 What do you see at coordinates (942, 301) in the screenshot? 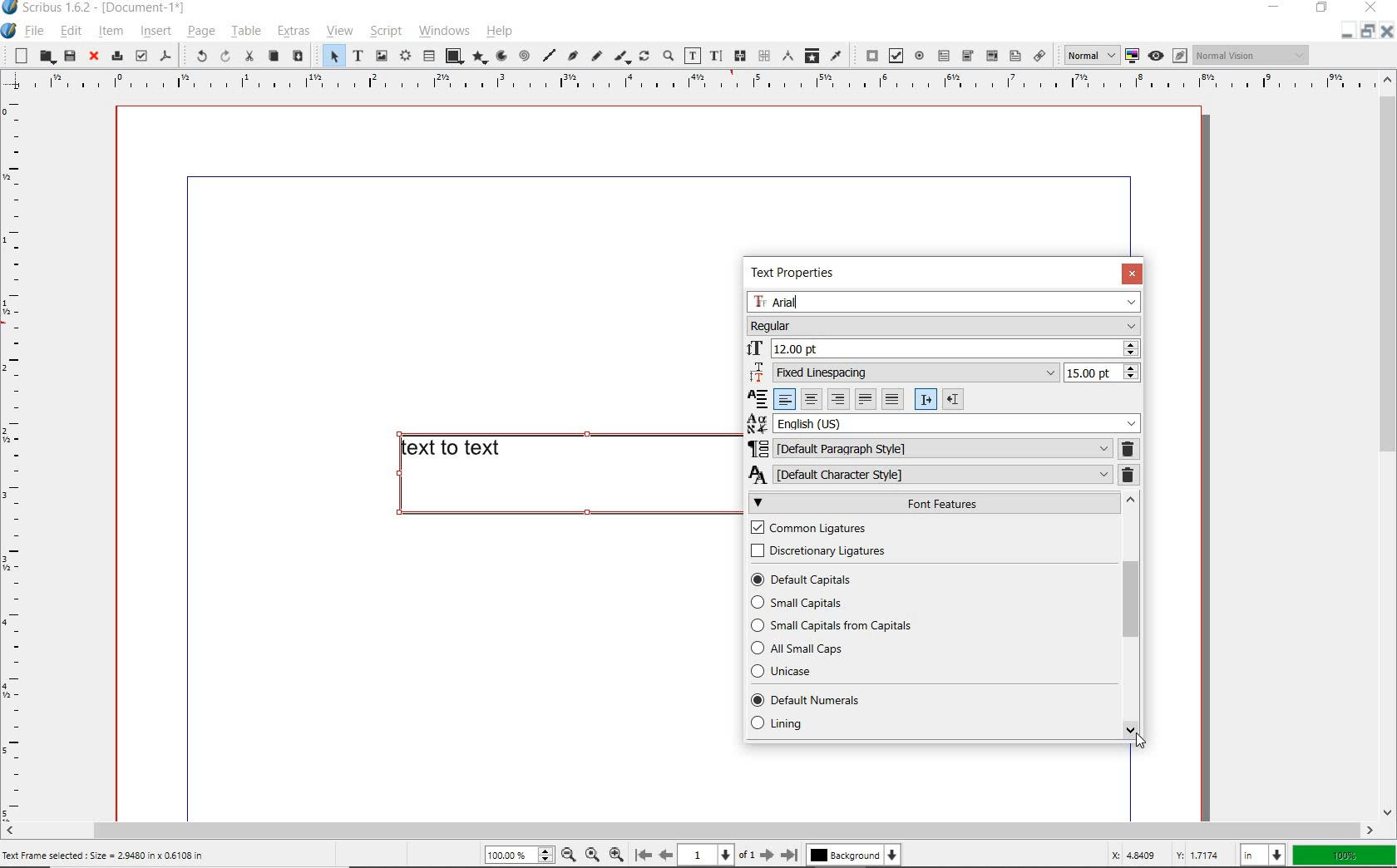
I see `Arial` at bounding box center [942, 301].